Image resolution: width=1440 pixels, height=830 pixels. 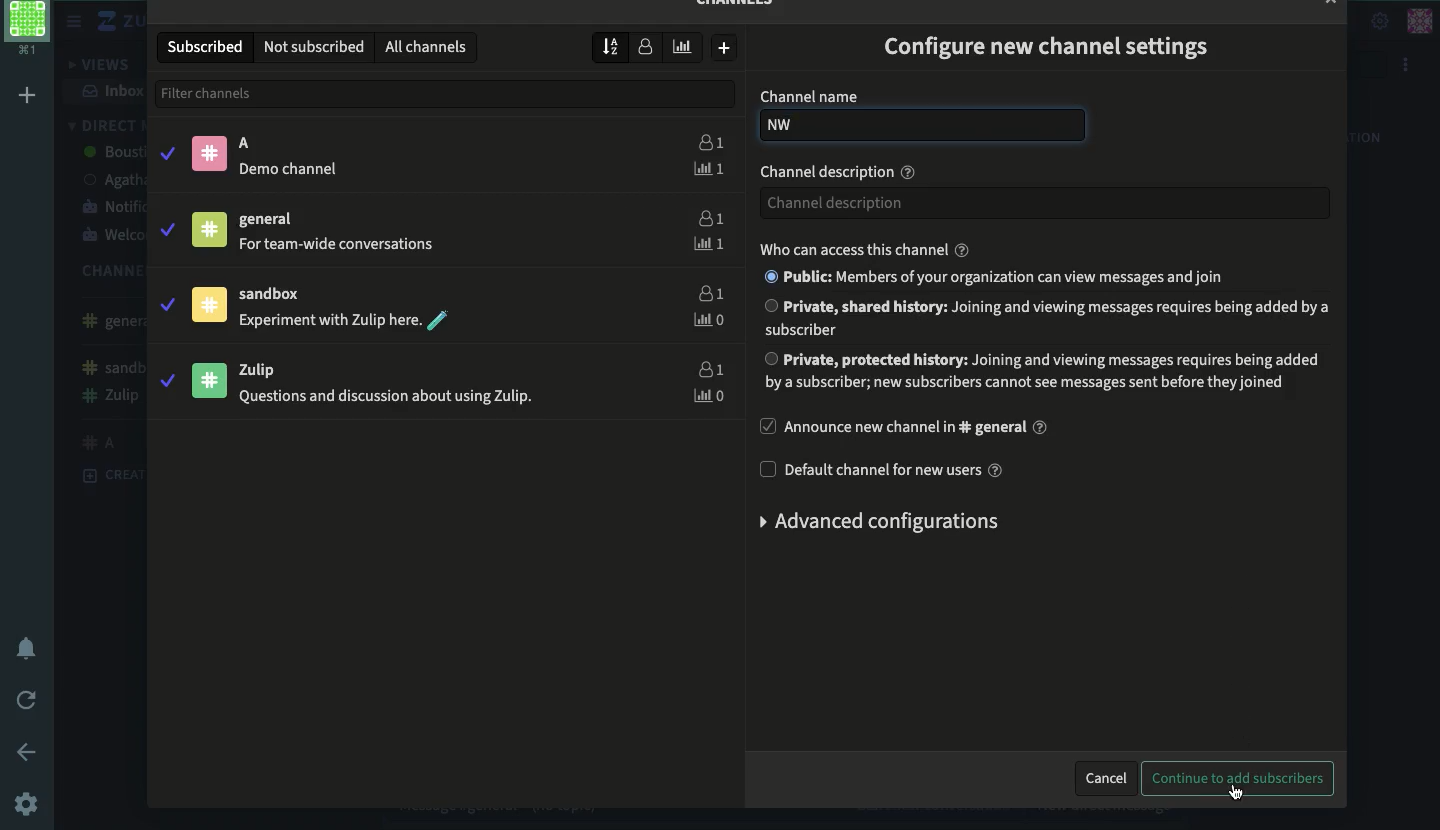 What do you see at coordinates (1048, 320) in the screenshot?
I see ` Private, shared history: Joining and viewing messages requires being added by a subscriber` at bounding box center [1048, 320].